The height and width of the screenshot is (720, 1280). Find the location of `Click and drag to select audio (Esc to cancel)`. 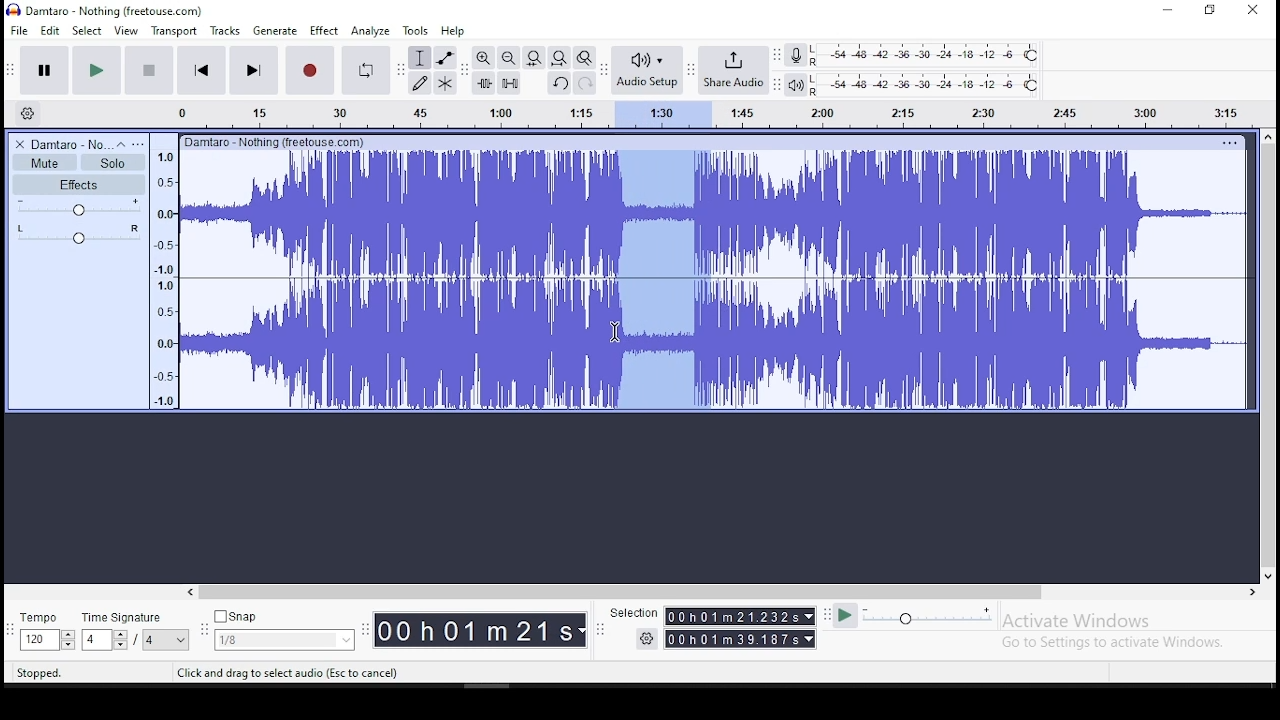

Click and drag to select audio (Esc to cancel) is located at coordinates (291, 672).